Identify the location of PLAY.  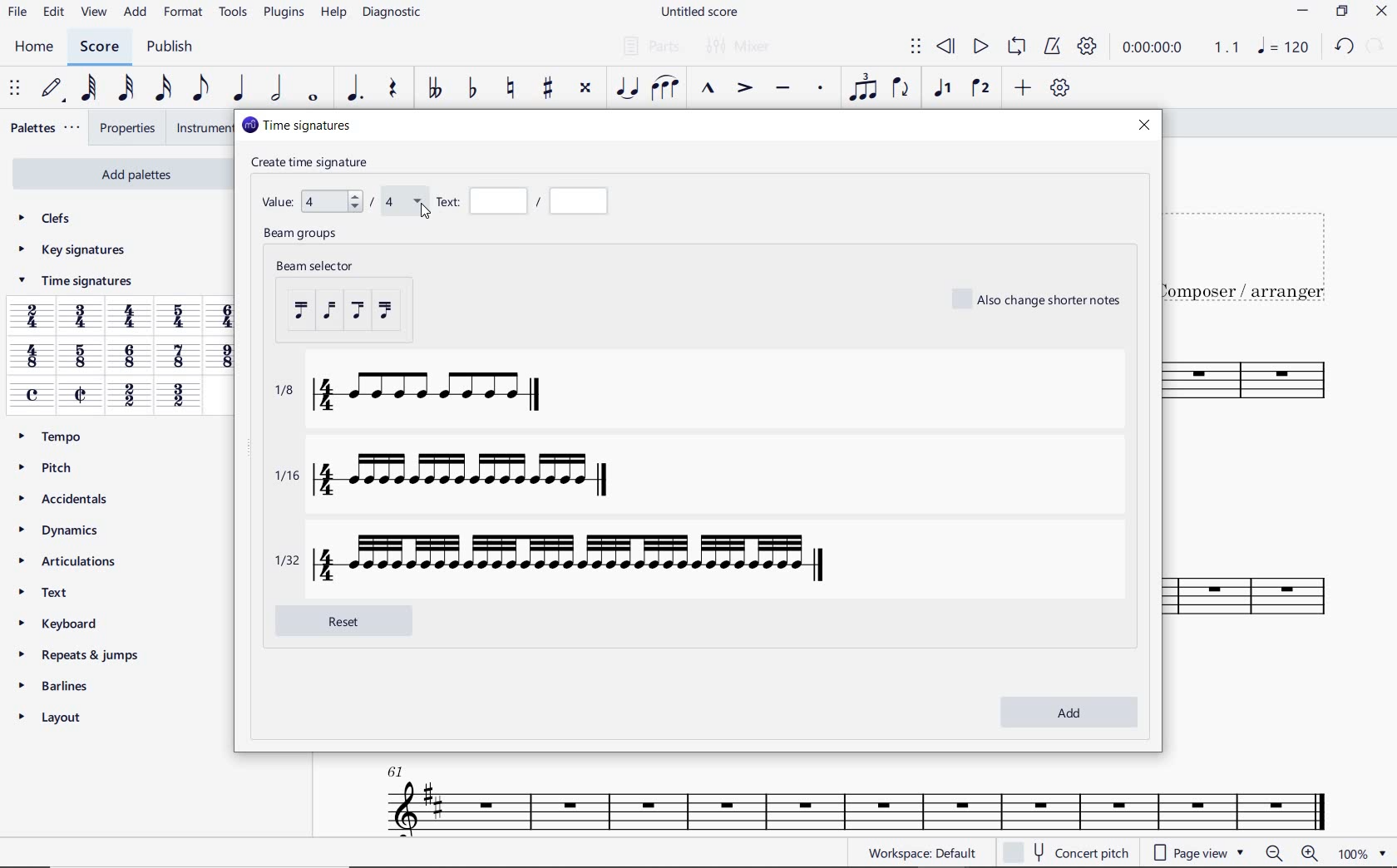
(980, 45).